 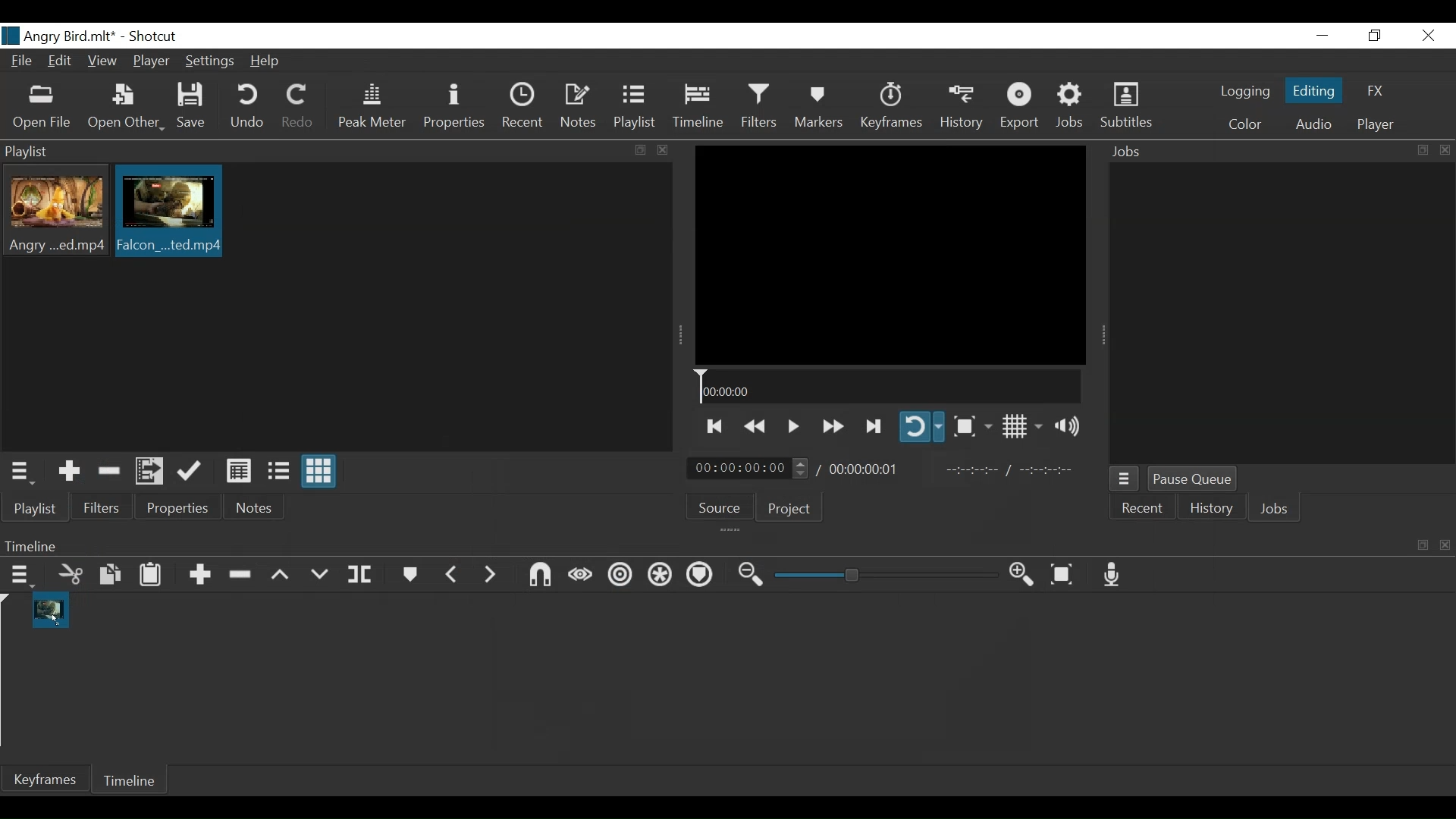 I want to click on Zoom timeline to fit, so click(x=1068, y=573).